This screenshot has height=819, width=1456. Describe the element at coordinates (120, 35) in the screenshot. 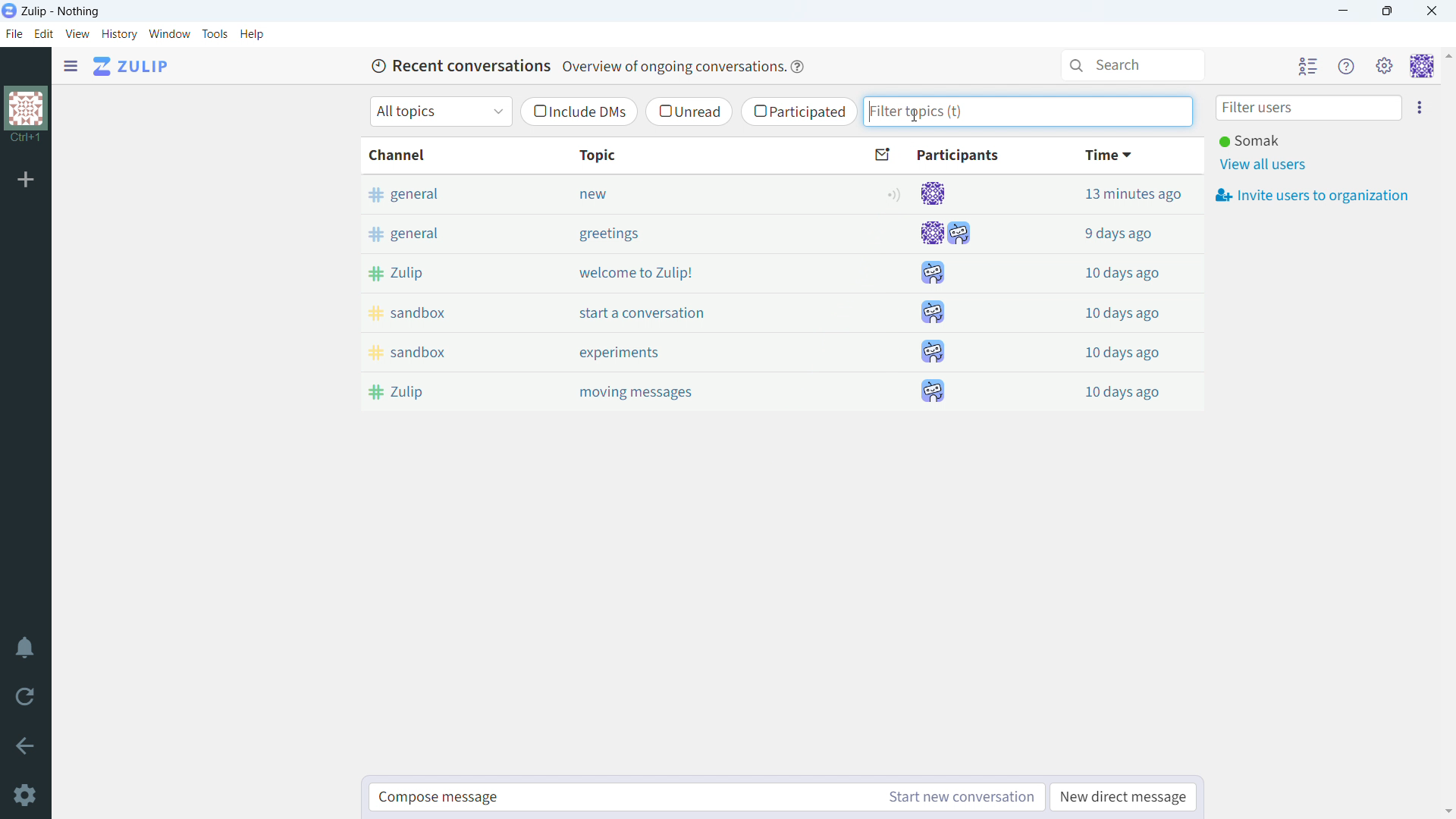

I see `history` at that location.